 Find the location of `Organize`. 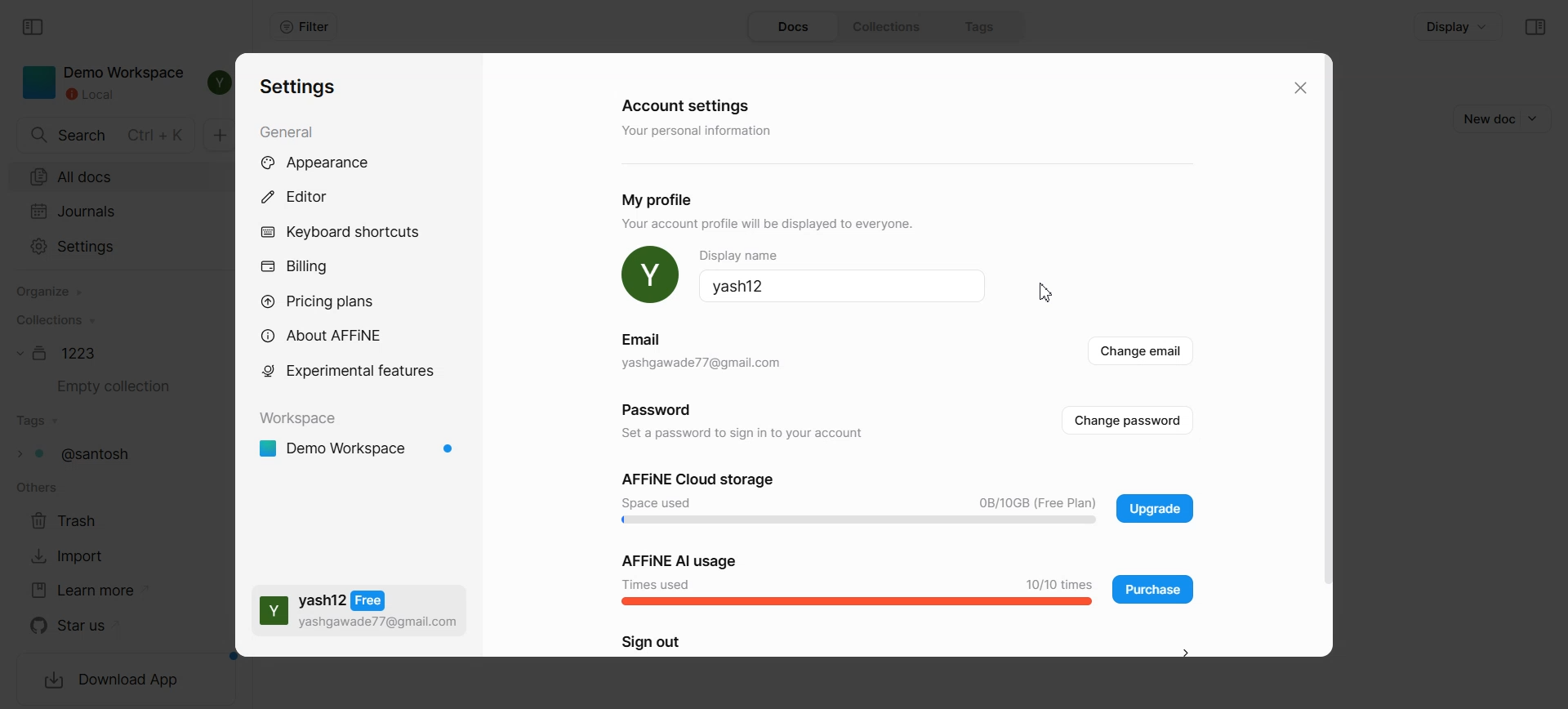

Organize is located at coordinates (48, 292).